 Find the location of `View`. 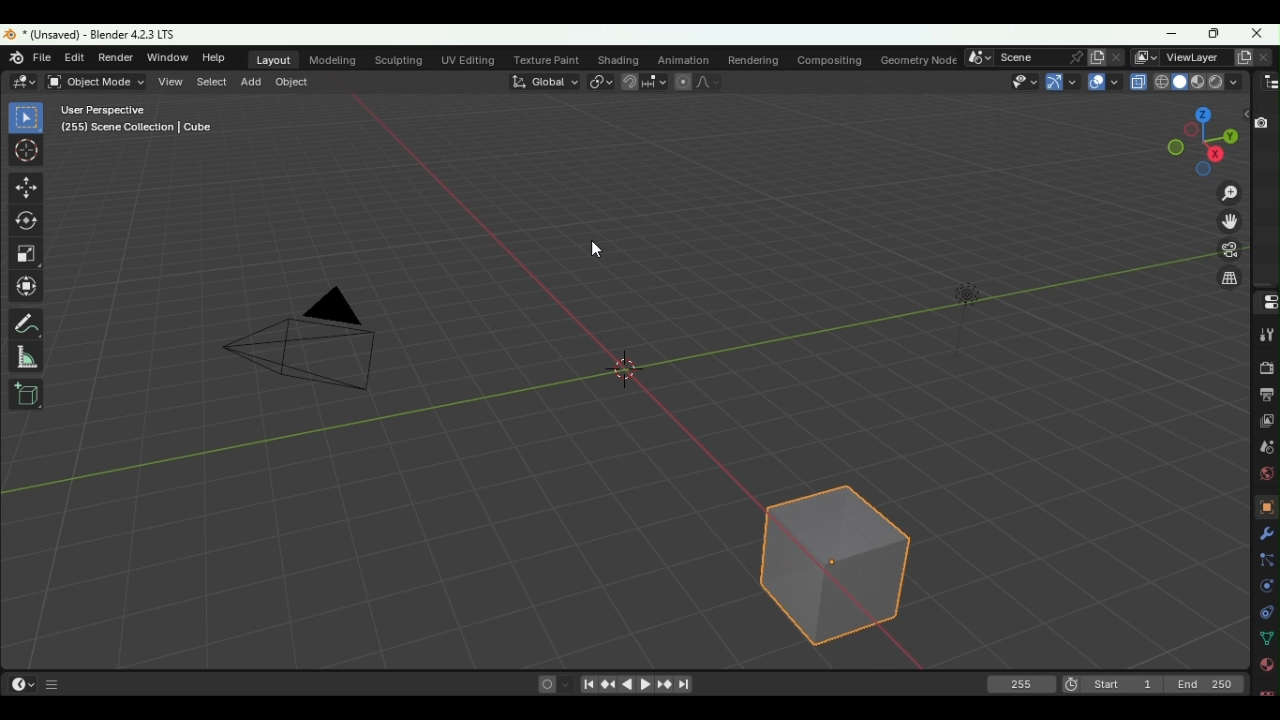

View is located at coordinates (172, 81).